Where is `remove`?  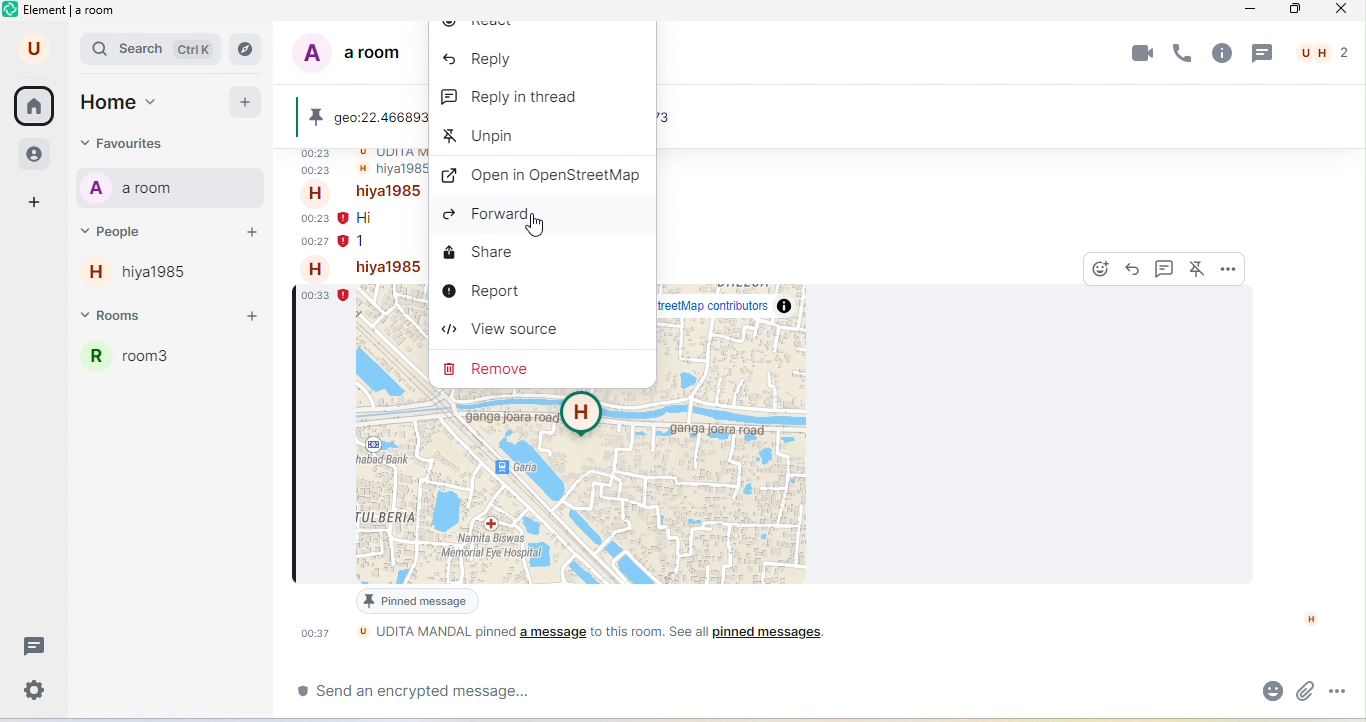 remove is located at coordinates (493, 367).